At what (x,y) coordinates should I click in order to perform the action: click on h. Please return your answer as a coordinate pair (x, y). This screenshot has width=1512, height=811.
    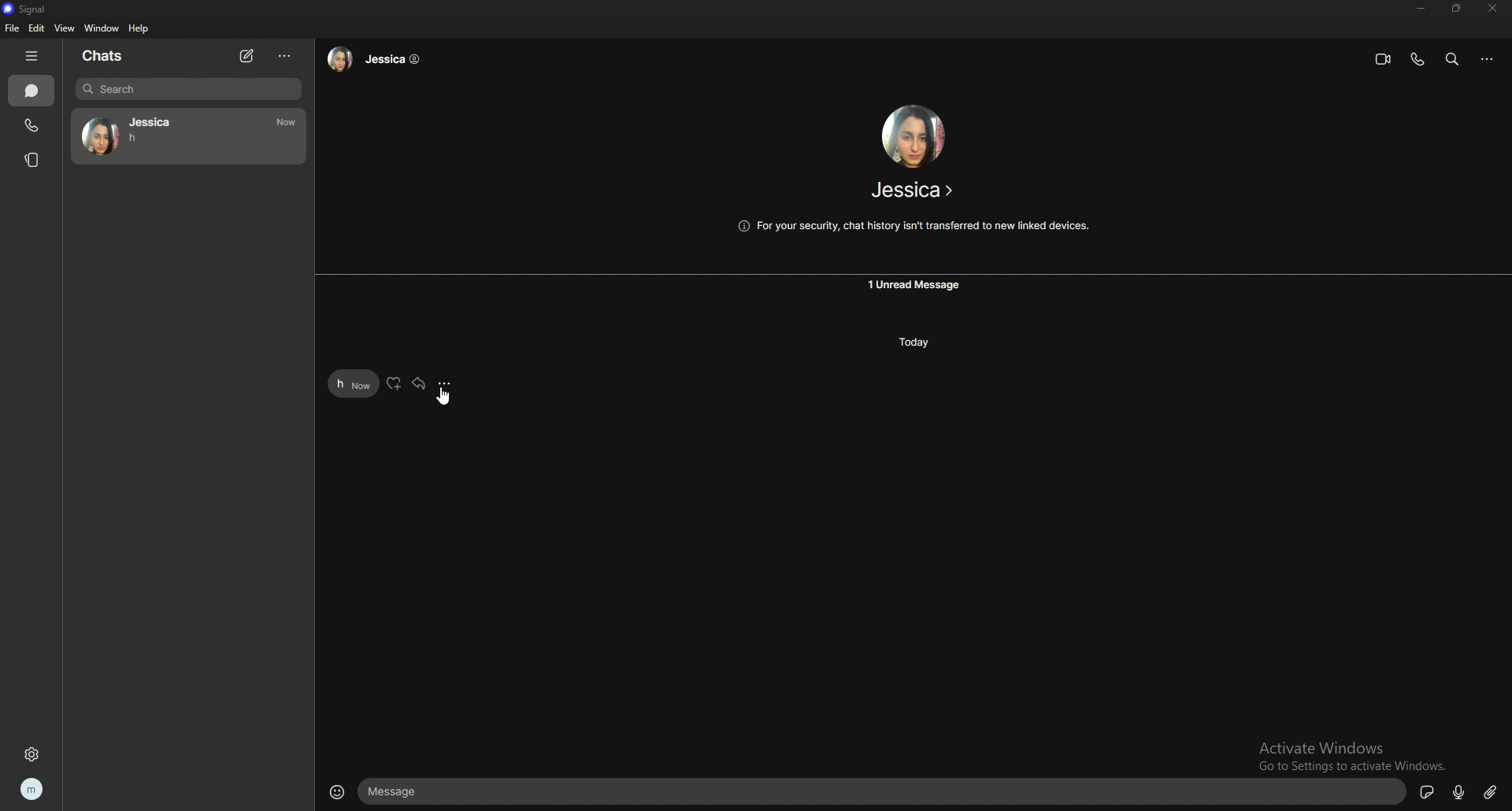
    Looking at the image, I should click on (352, 383).